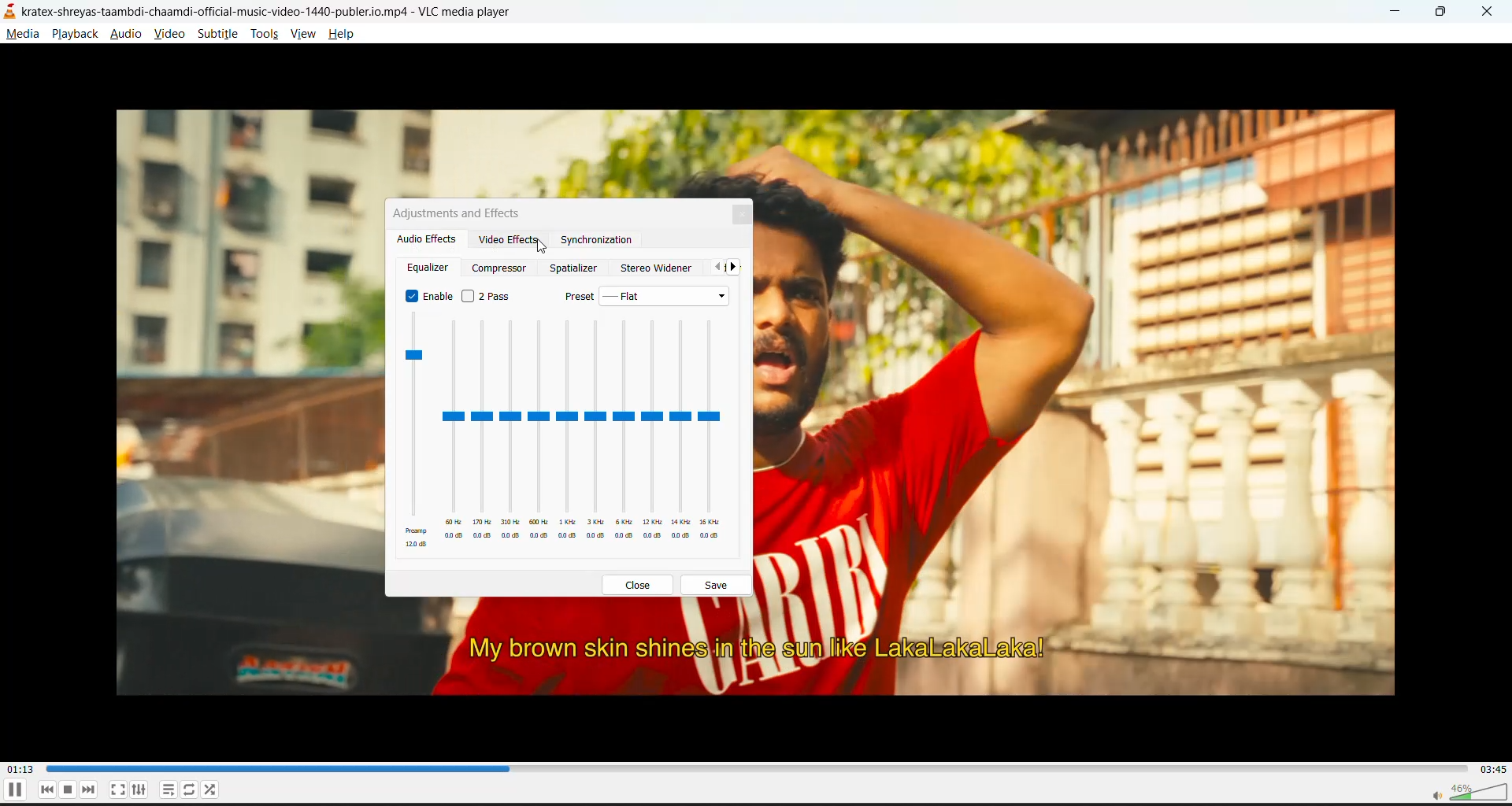  What do you see at coordinates (1488, 13) in the screenshot?
I see `close` at bounding box center [1488, 13].